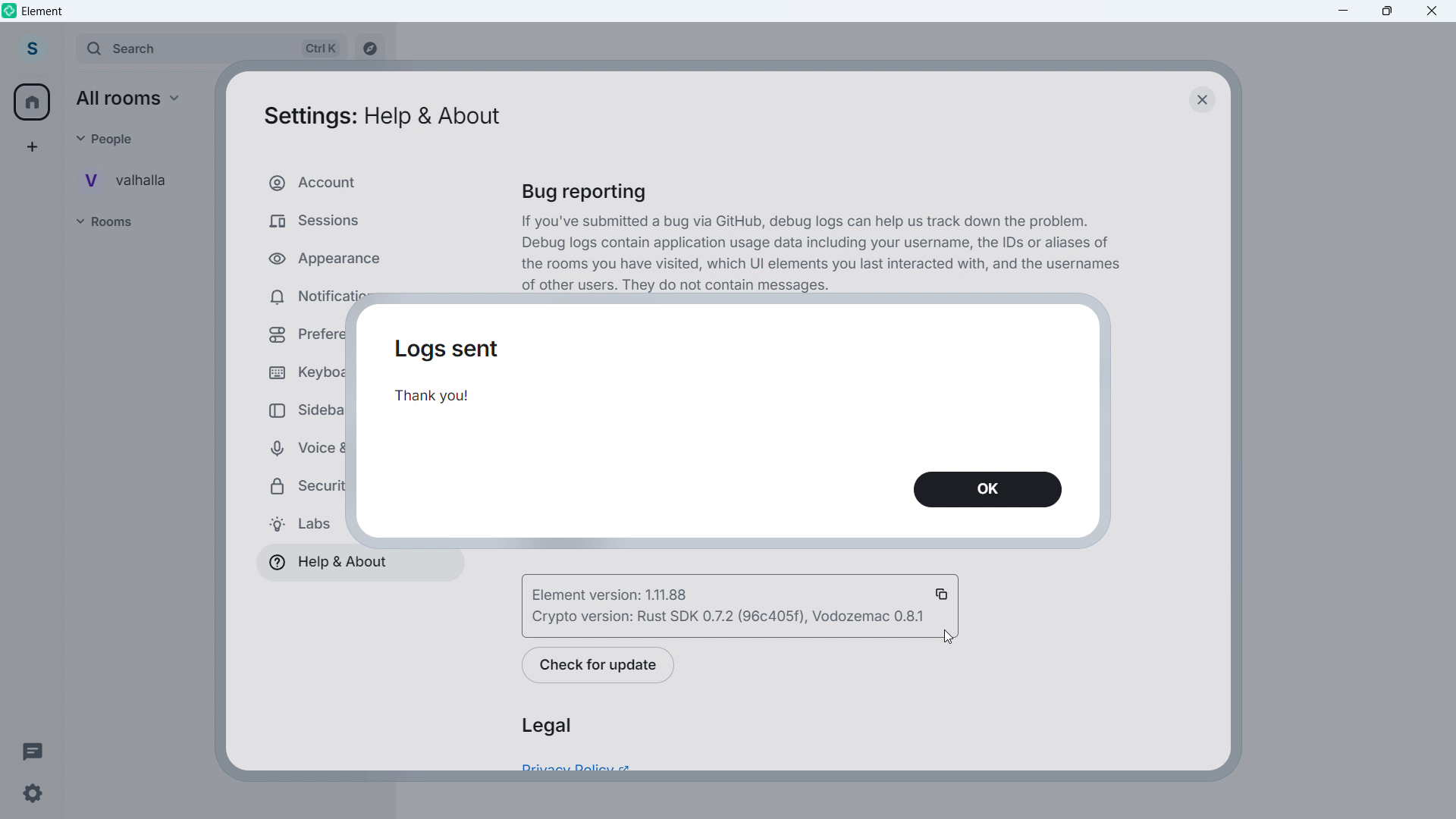 This screenshot has width=1456, height=819. I want to click on home , so click(33, 102).